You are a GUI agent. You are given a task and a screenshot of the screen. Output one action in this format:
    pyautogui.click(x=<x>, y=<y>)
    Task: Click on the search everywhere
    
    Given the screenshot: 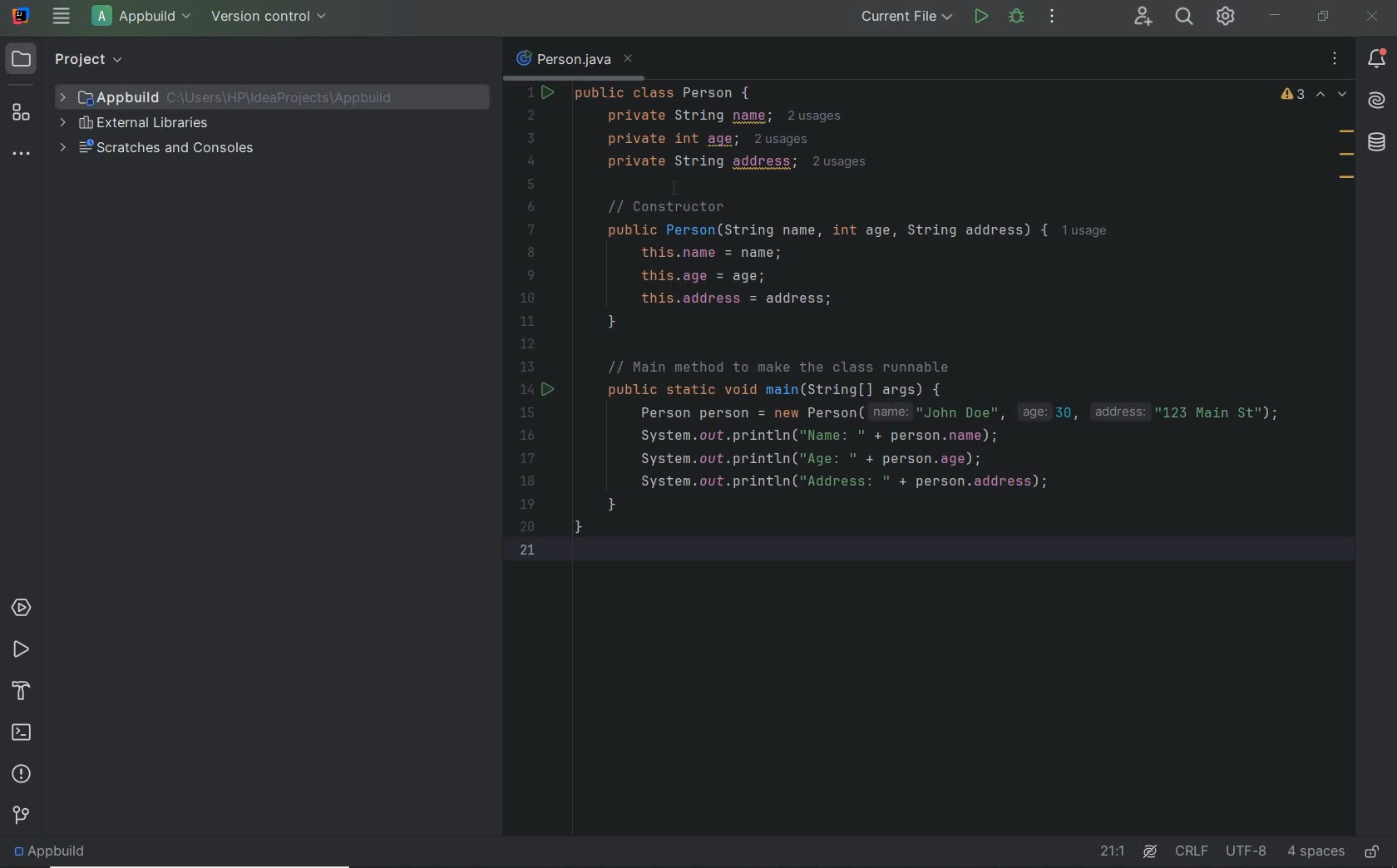 What is the action you would take?
    pyautogui.click(x=1186, y=18)
    